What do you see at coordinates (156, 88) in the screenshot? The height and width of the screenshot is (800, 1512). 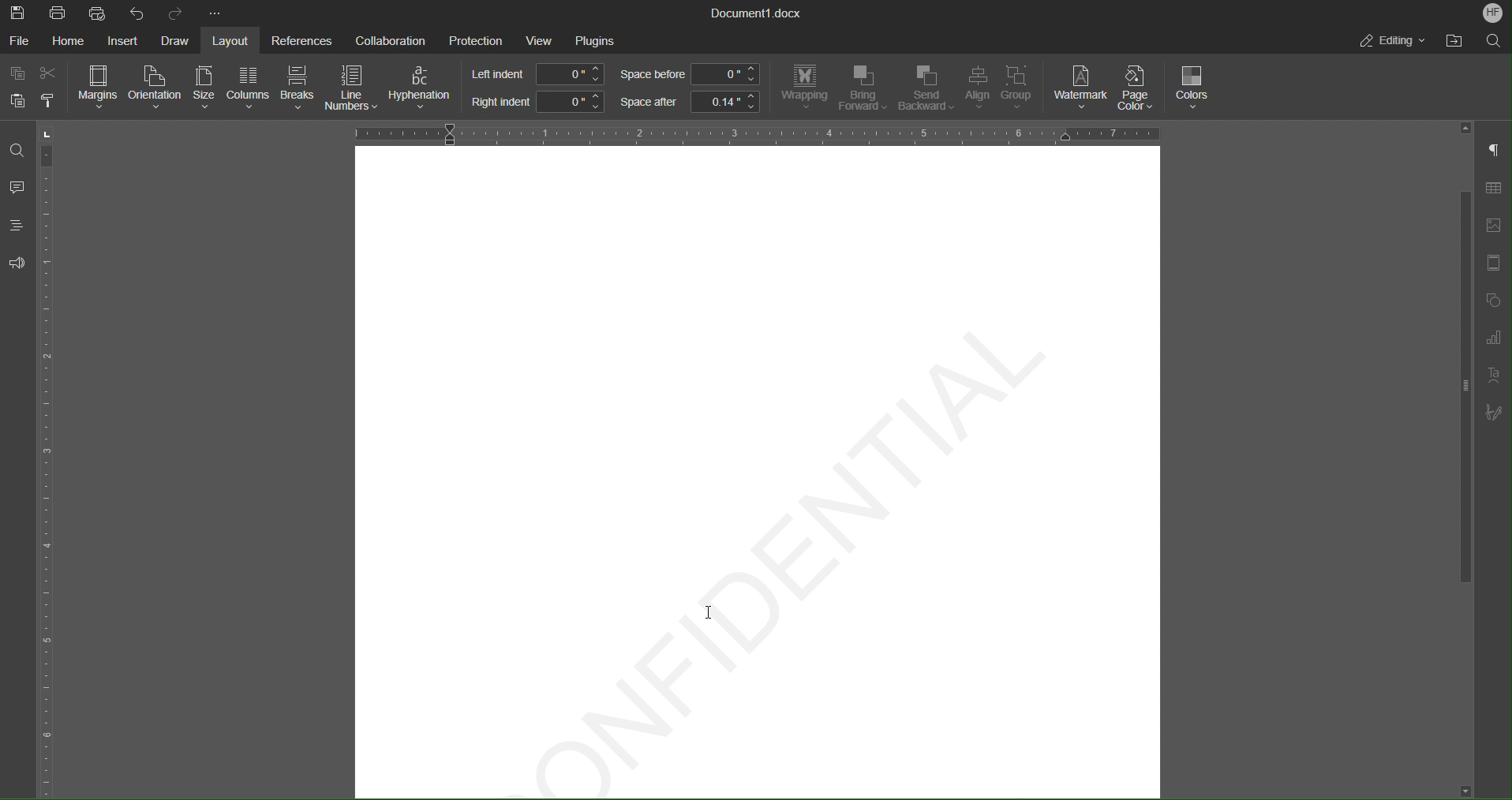 I see `Orientation` at bounding box center [156, 88].